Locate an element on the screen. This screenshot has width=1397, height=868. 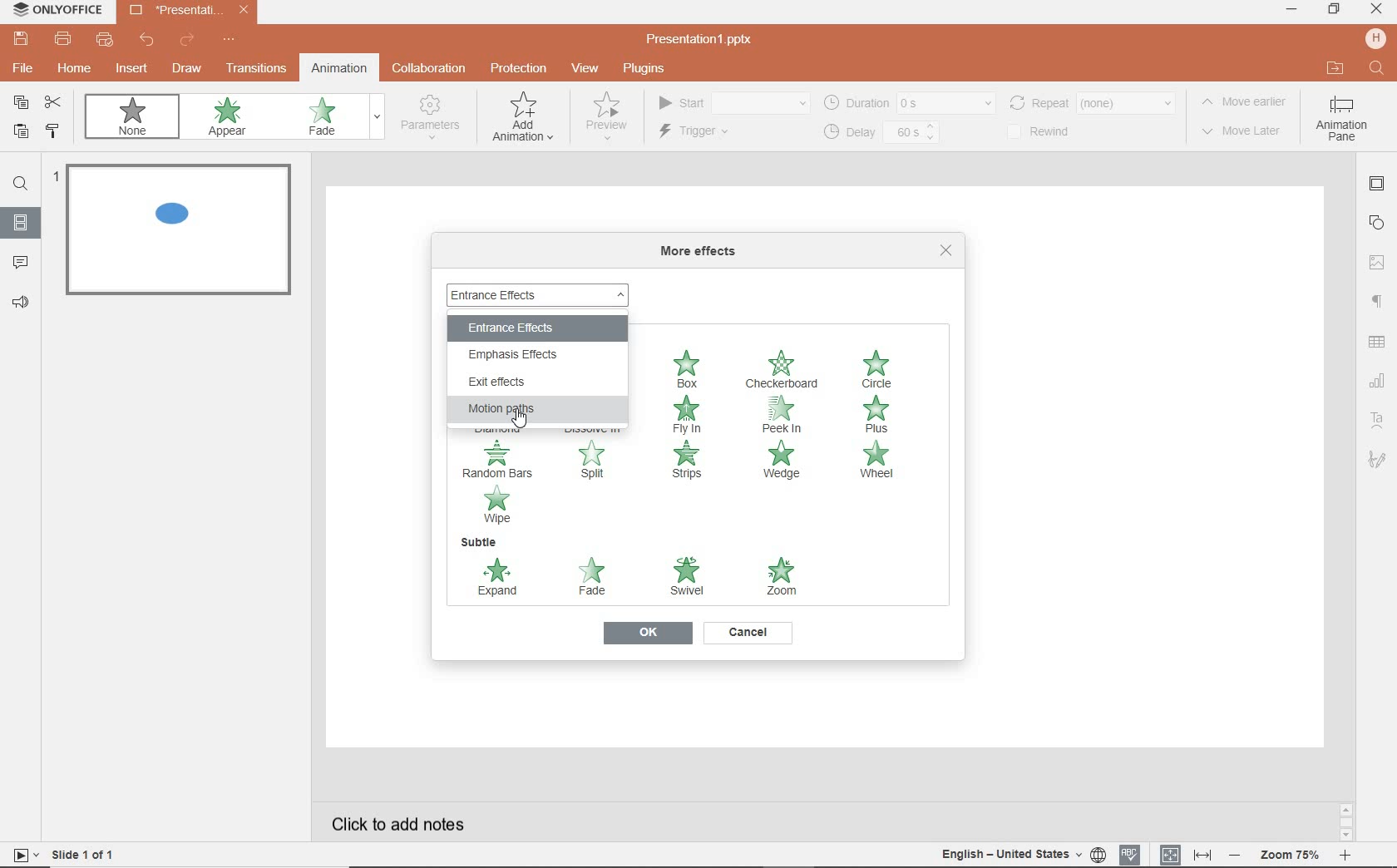
CIRCLE is located at coordinates (881, 370).